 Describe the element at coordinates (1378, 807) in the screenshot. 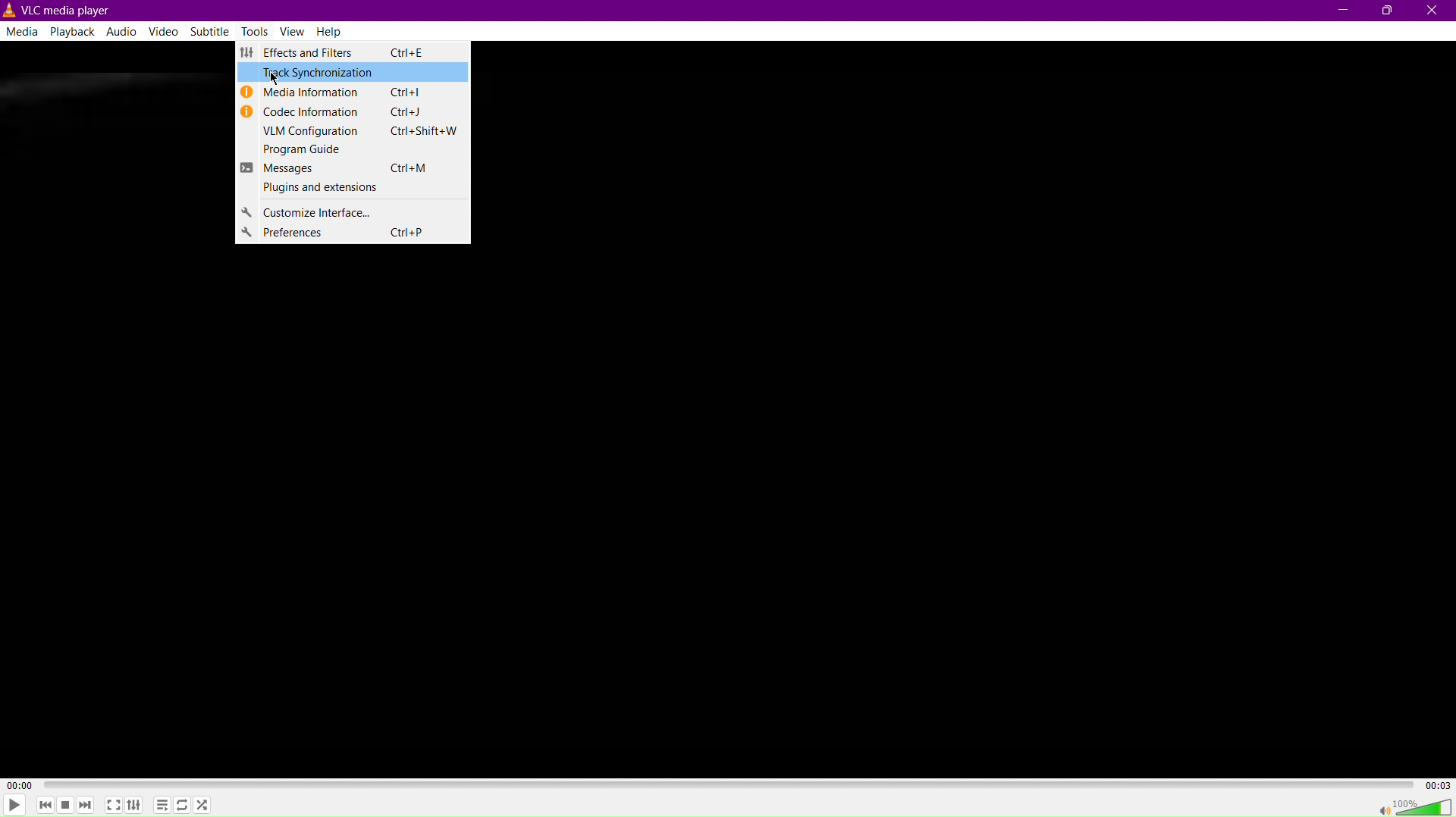

I see `mute/unmute` at that location.